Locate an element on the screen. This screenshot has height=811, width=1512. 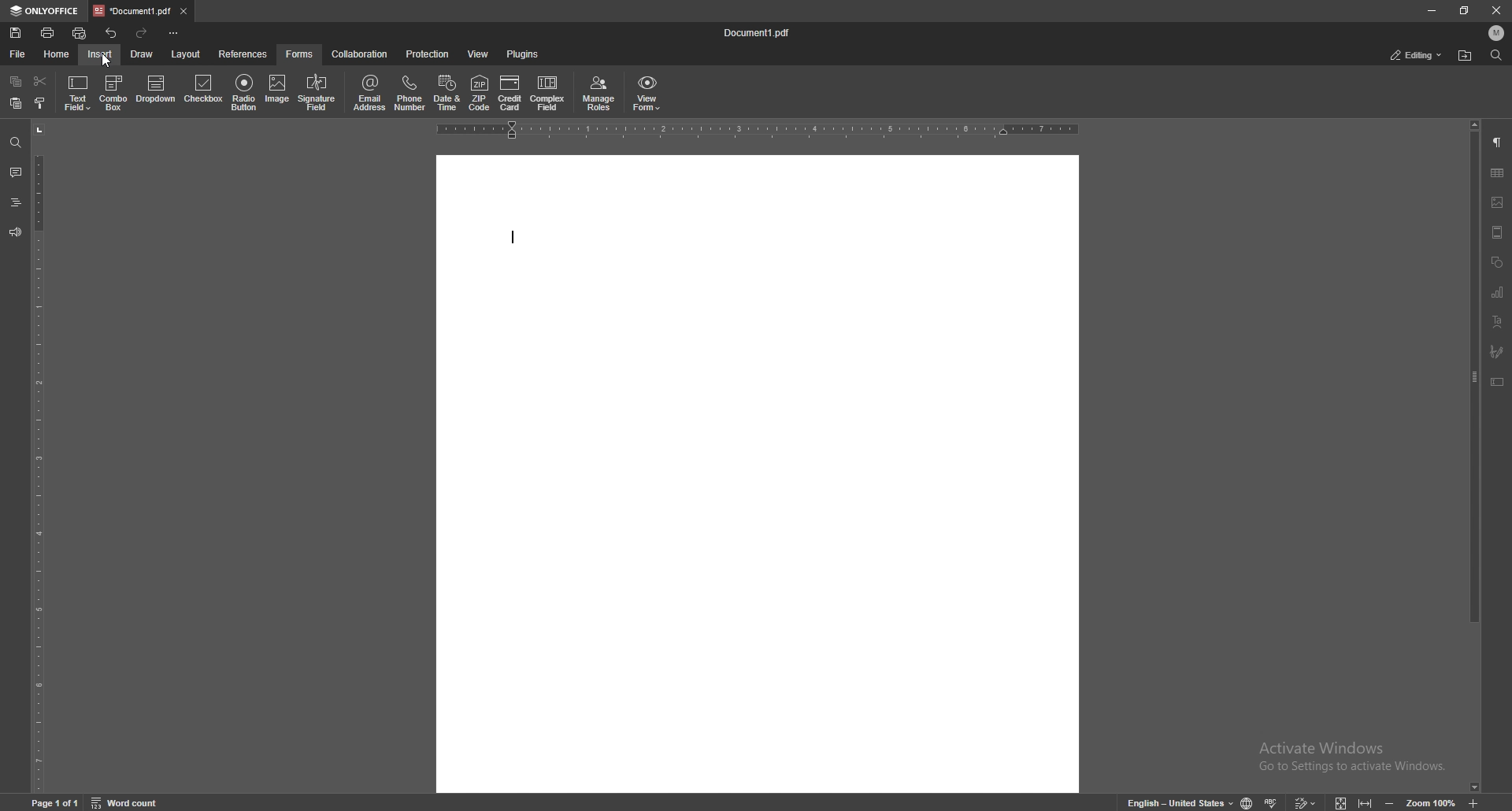
quick print is located at coordinates (80, 33).